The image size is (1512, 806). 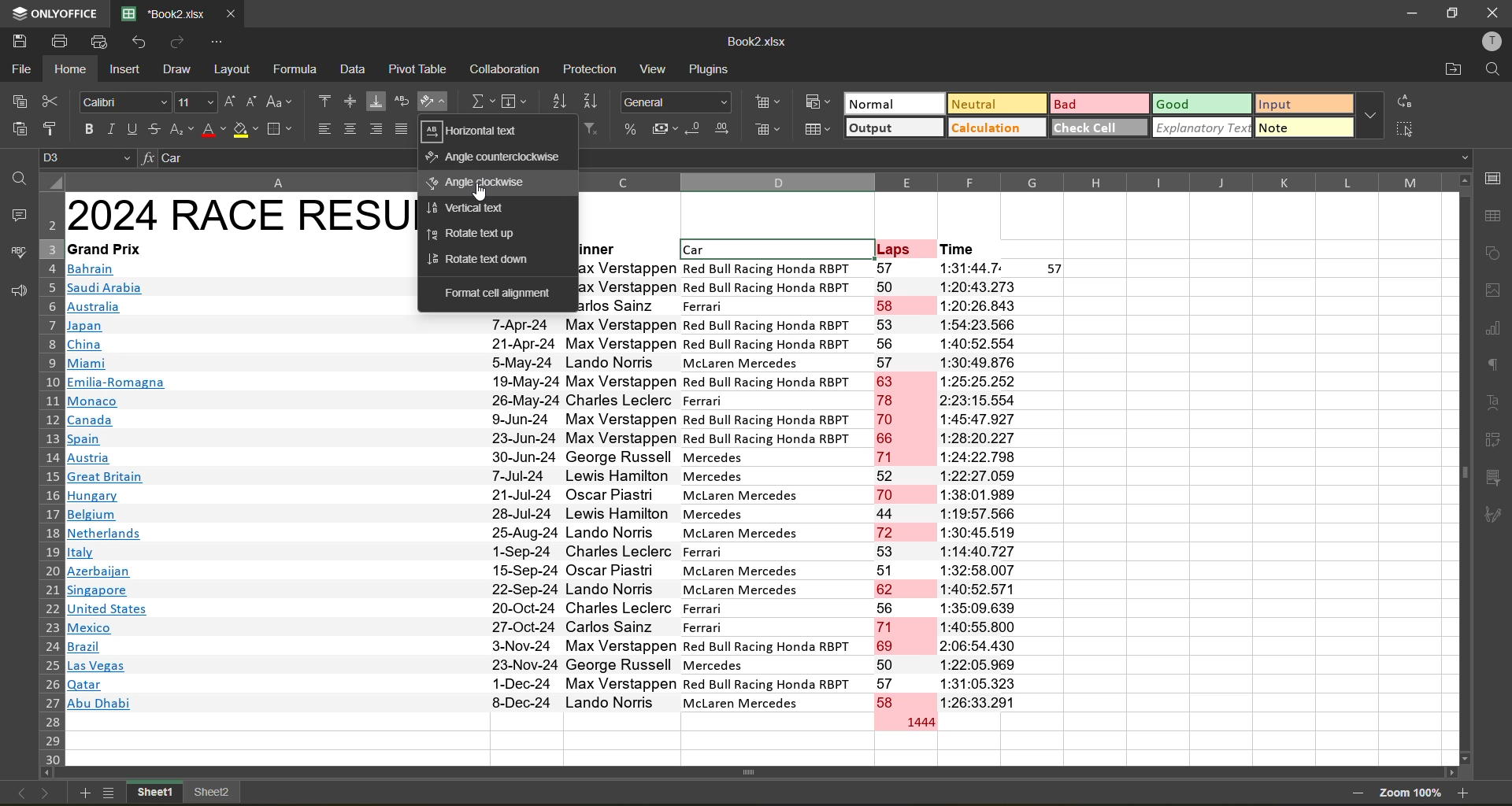 What do you see at coordinates (230, 70) in the screenshot?
I see `layout` at bounding box center [230, 70].